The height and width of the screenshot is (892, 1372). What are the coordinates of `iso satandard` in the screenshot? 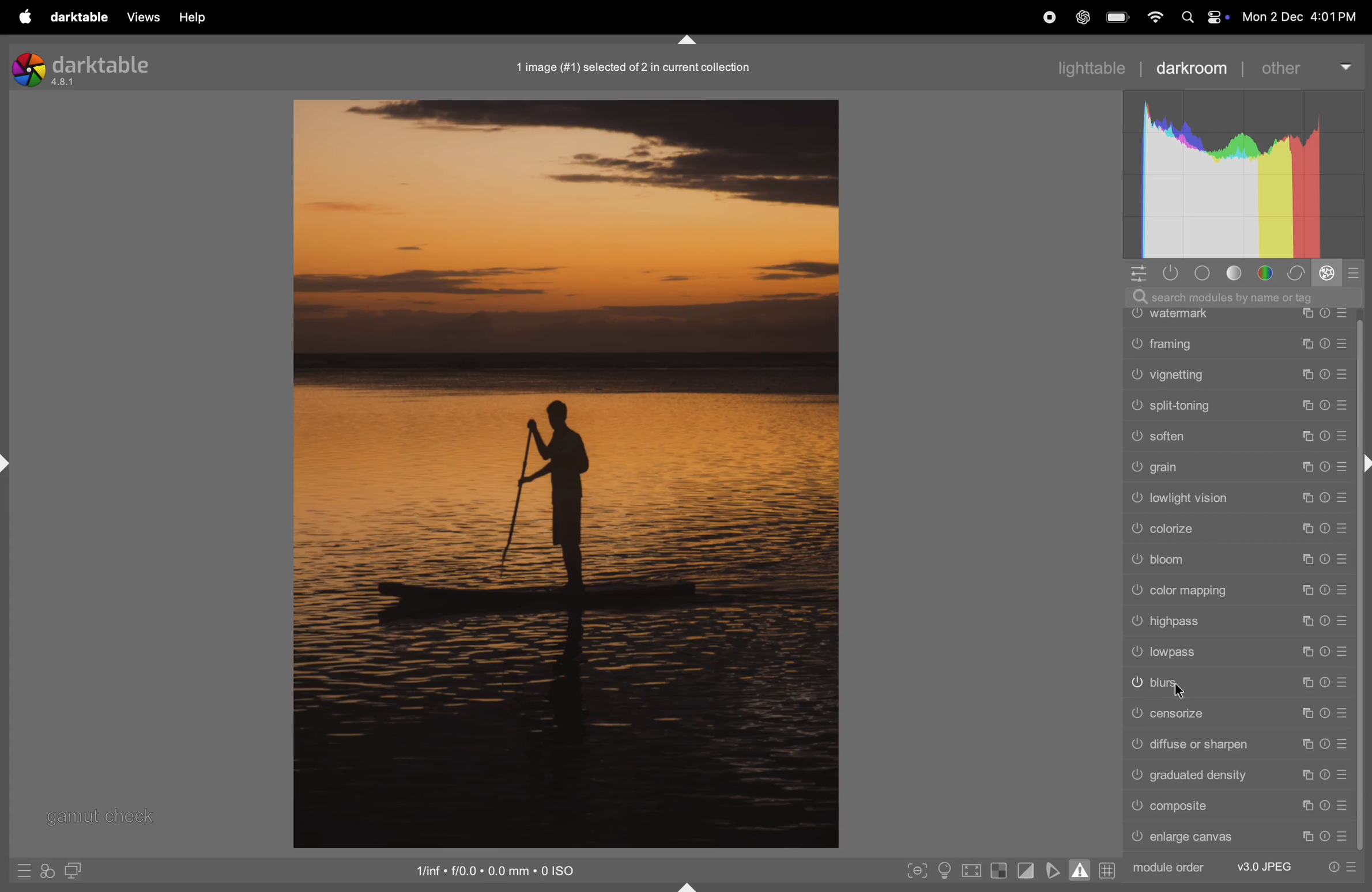 It's located at (497, 869).